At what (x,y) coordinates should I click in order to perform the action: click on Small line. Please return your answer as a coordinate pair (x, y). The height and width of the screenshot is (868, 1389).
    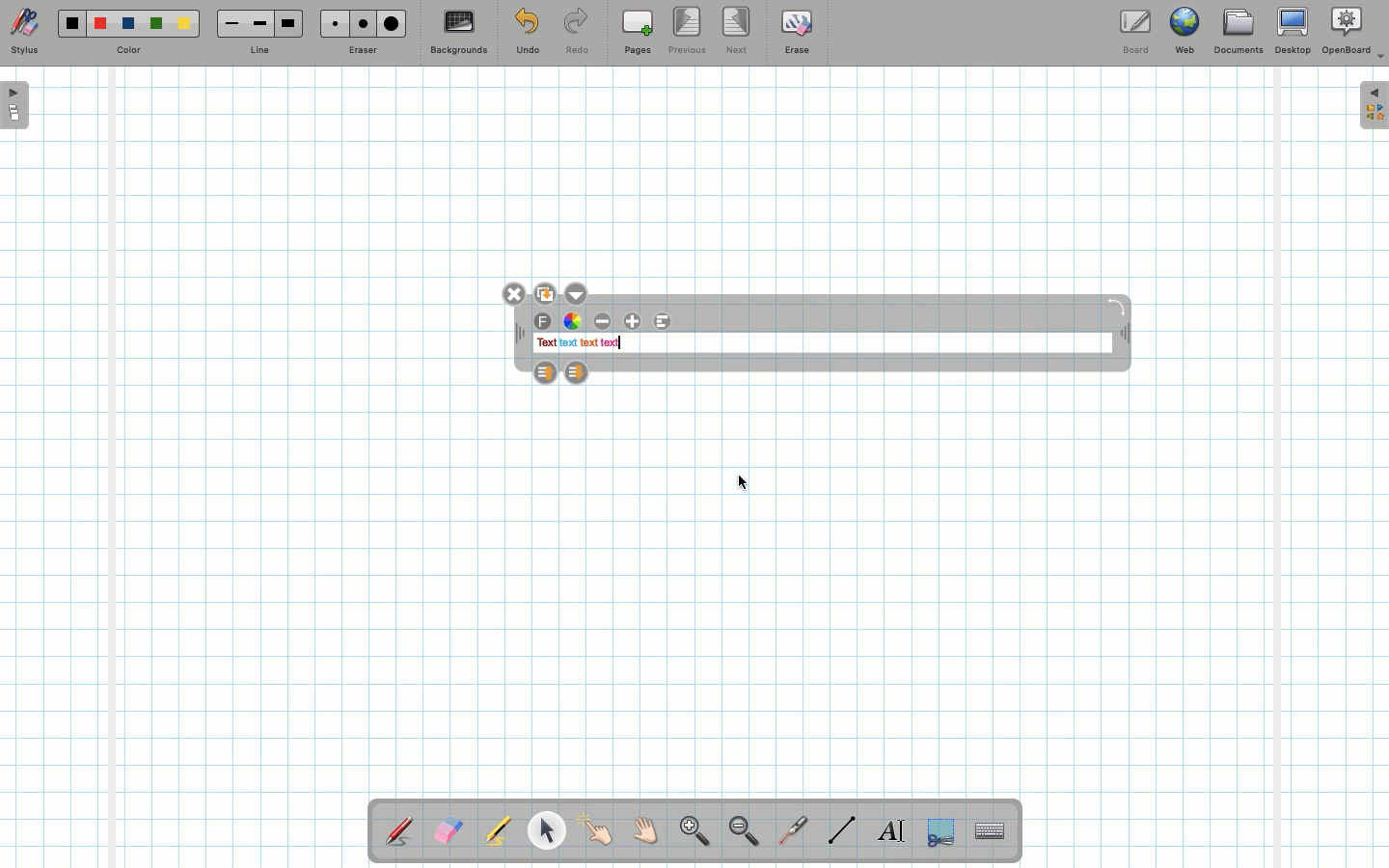
    Looking at the image, I should click on (229, 24).